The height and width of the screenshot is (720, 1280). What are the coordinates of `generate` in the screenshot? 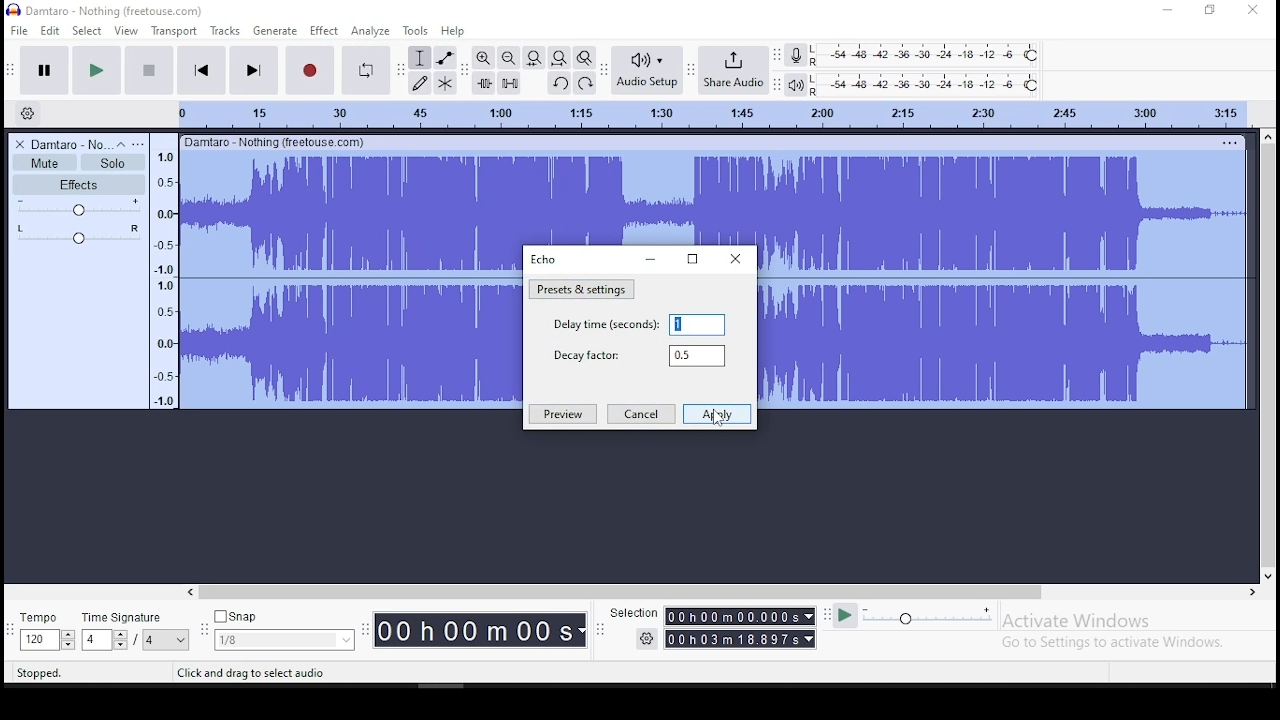 It's located at (275, 32).